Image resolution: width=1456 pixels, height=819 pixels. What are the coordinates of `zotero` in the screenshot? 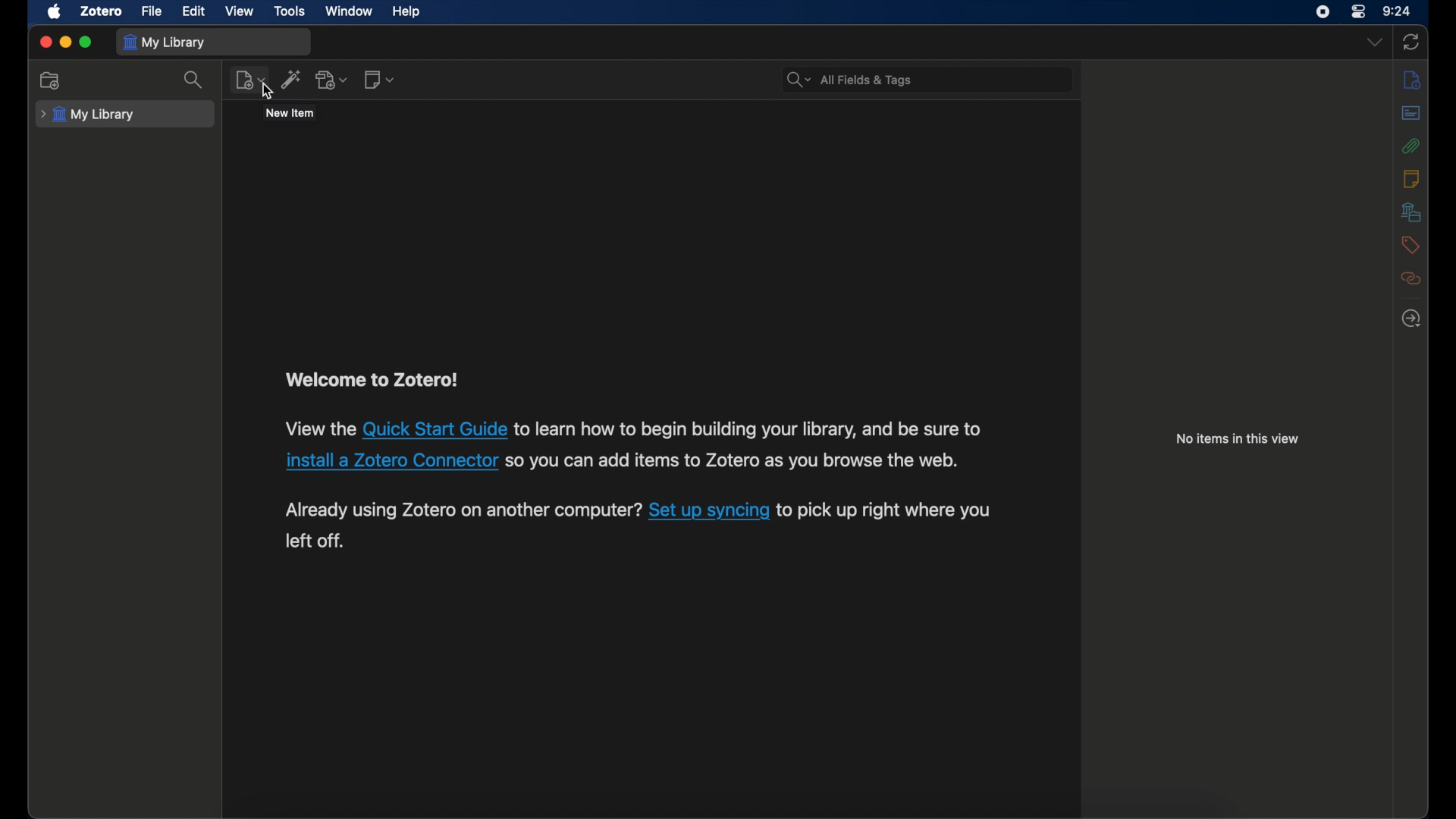 It's located at (100, 11).